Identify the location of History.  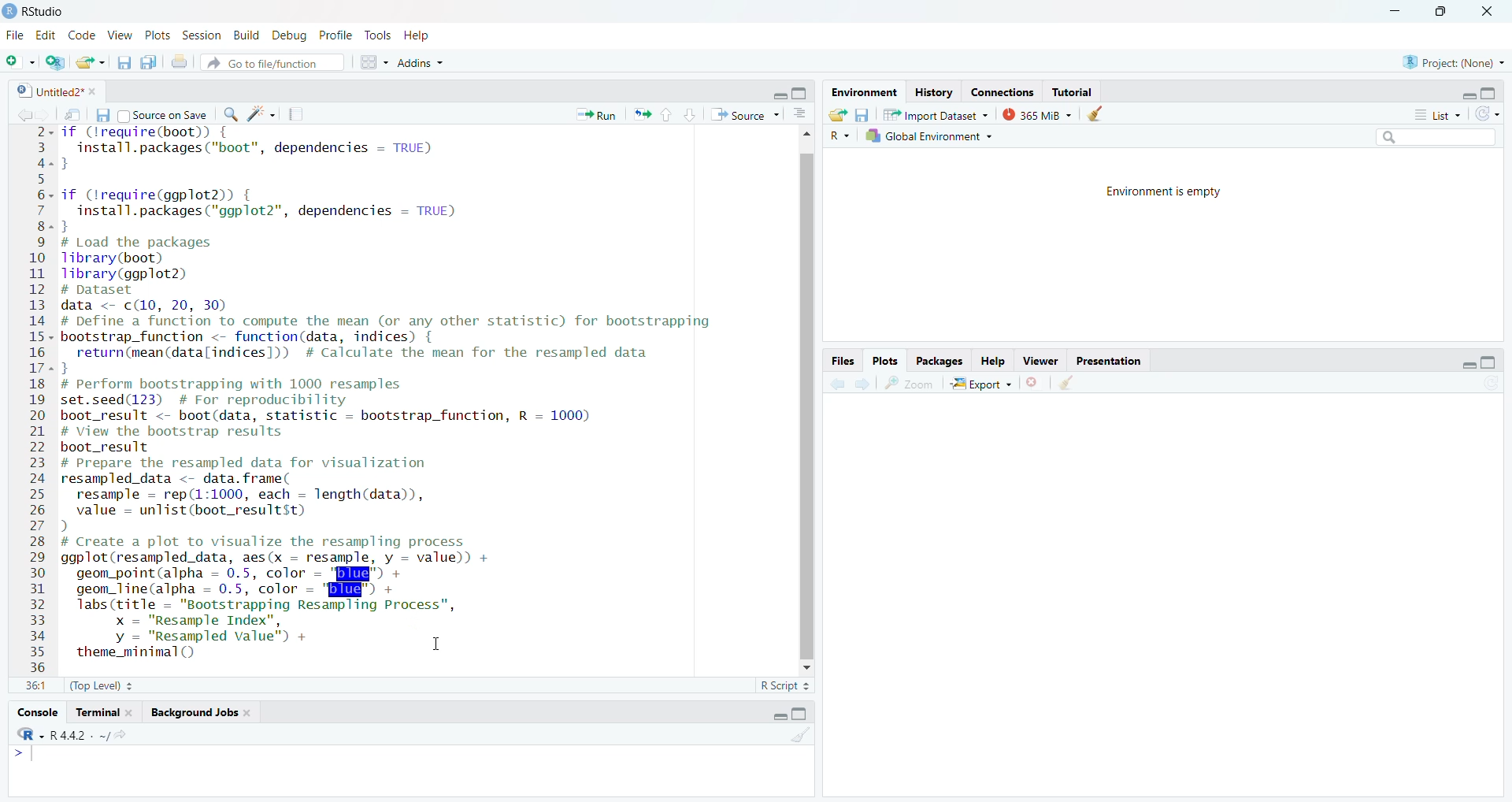
(932, 92).